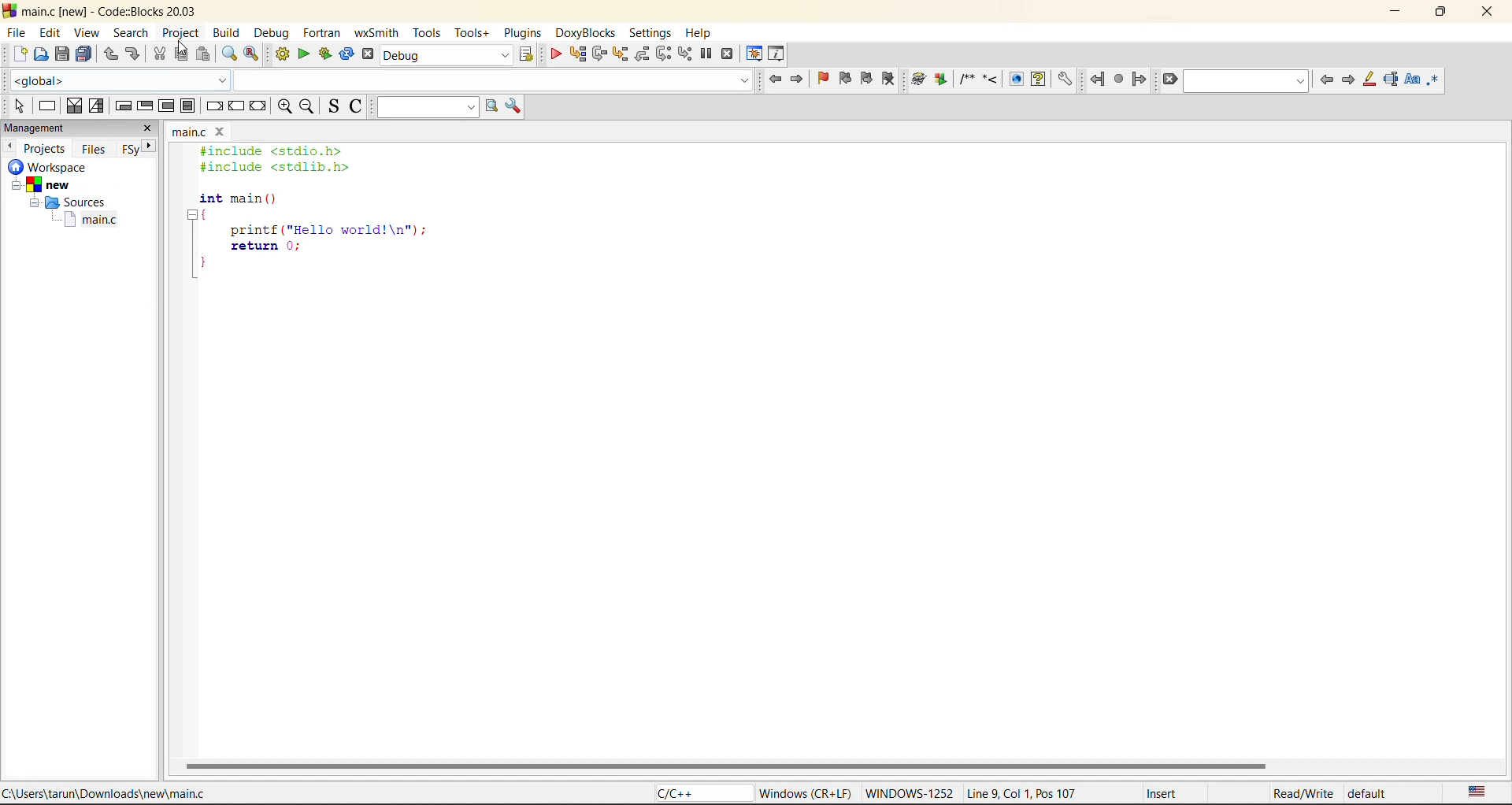 The image size is (1512, 805). I want to click on show select target dialog, so click(528, 55).